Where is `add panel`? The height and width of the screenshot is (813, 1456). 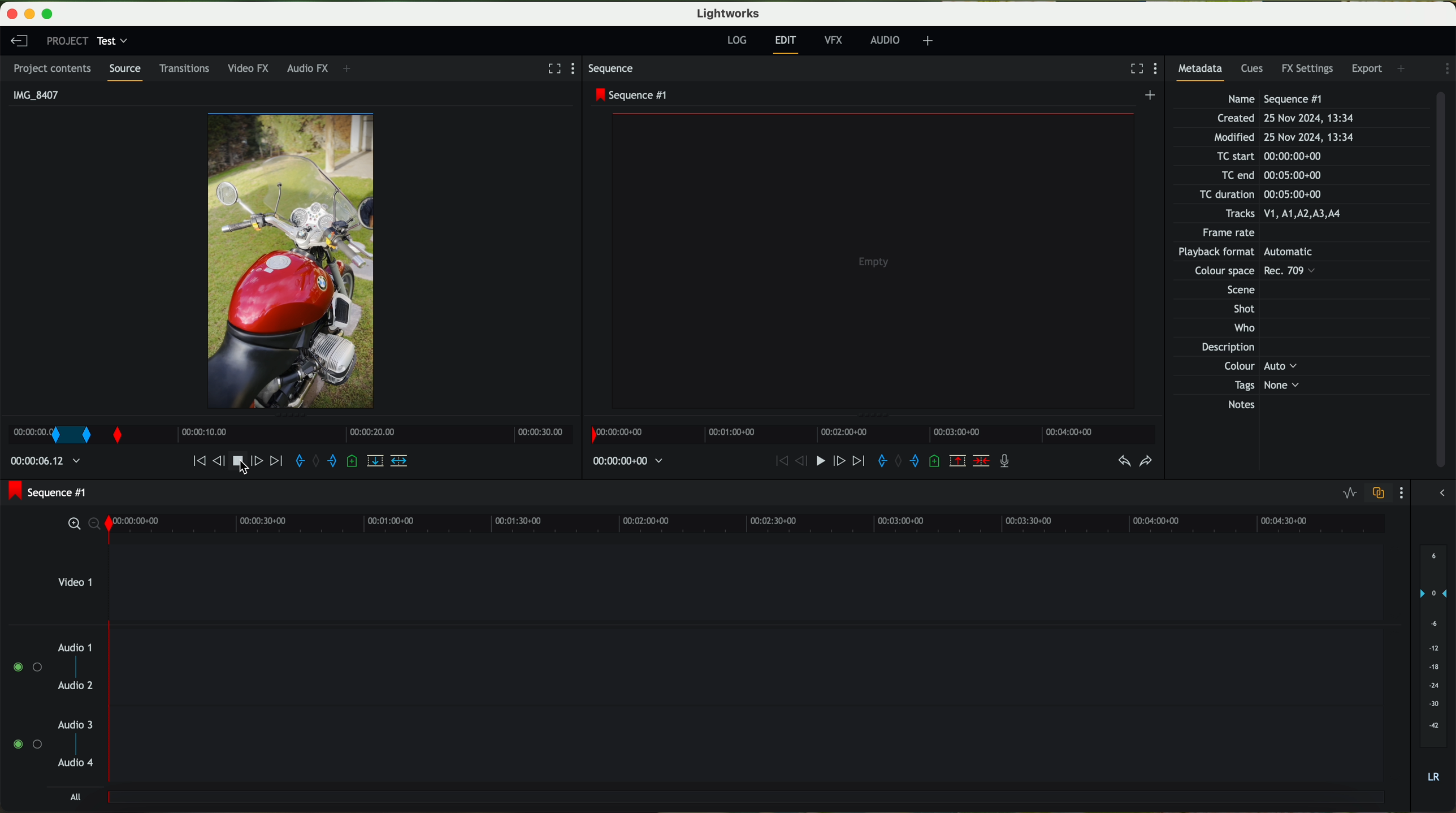 add panel is located at coordinates (1403, 67).